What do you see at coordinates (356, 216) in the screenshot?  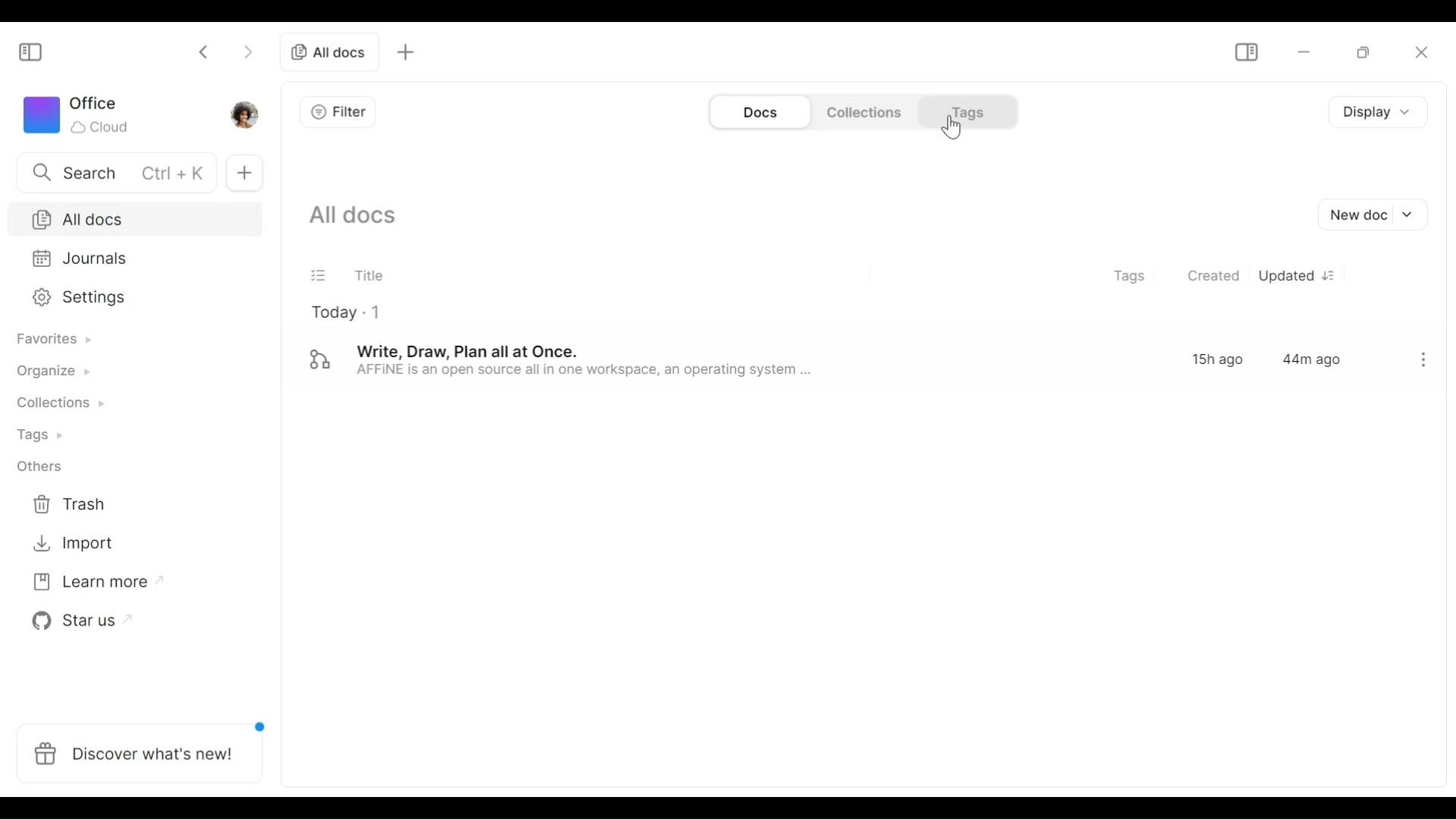 I see `Show all documents` at bounding box center [356, 216].